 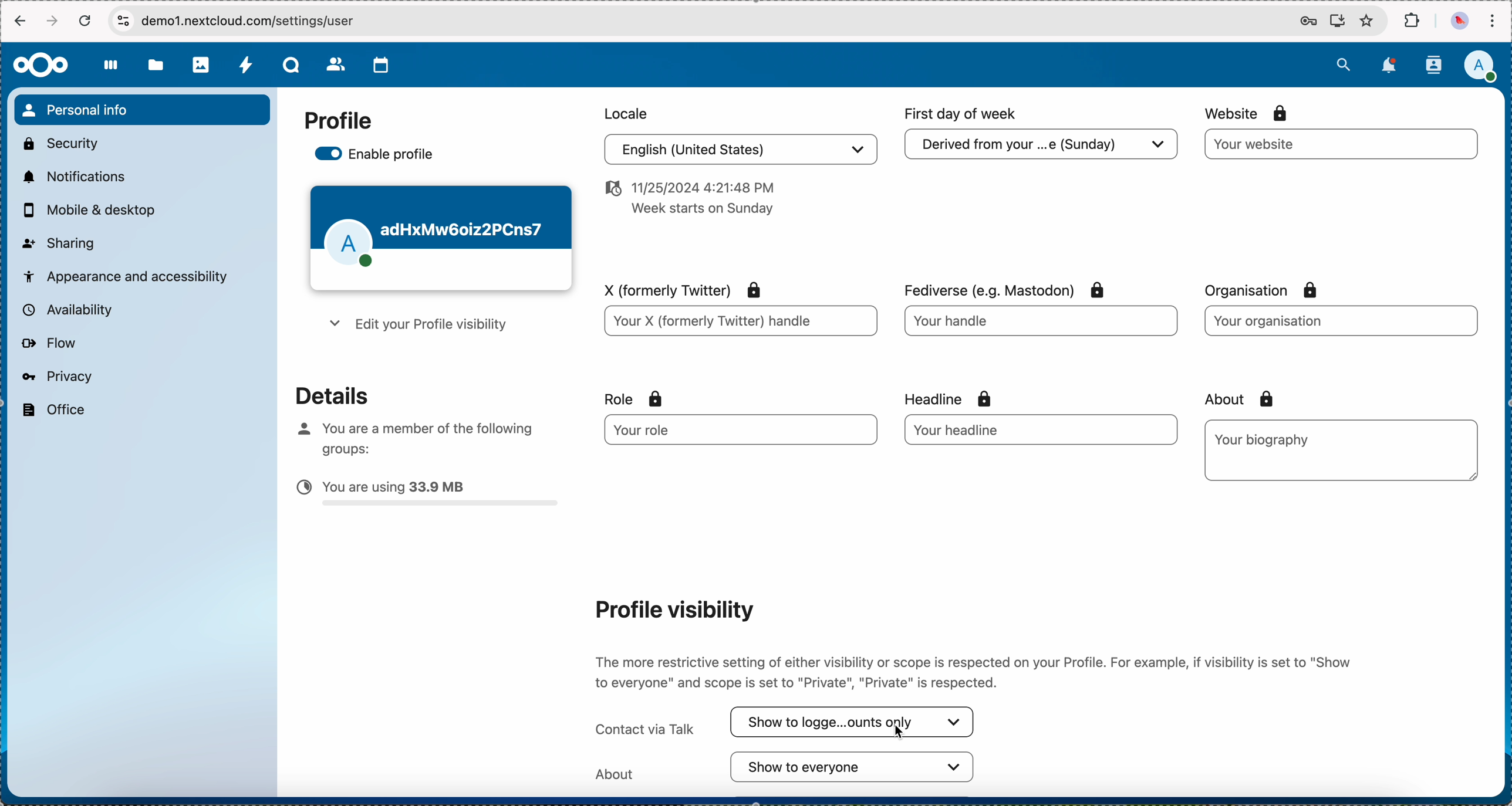 What do you see at coordinates (123, 20) in the screenshot?
I see `controls` at bounding box center [123, 20].